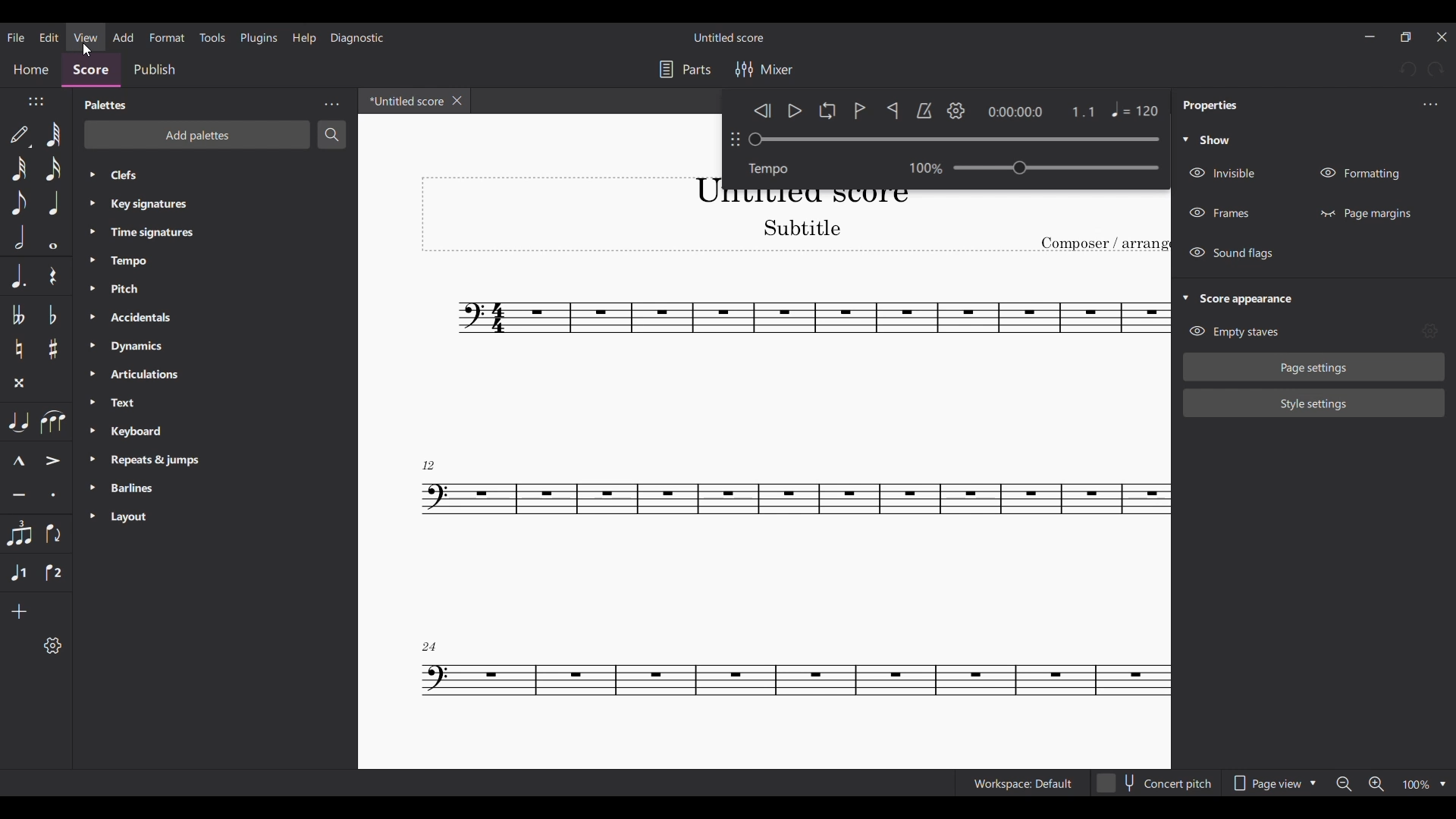  Describe the element at coordinates (1426, 784) in the screenshot. I see `100%` at that location.